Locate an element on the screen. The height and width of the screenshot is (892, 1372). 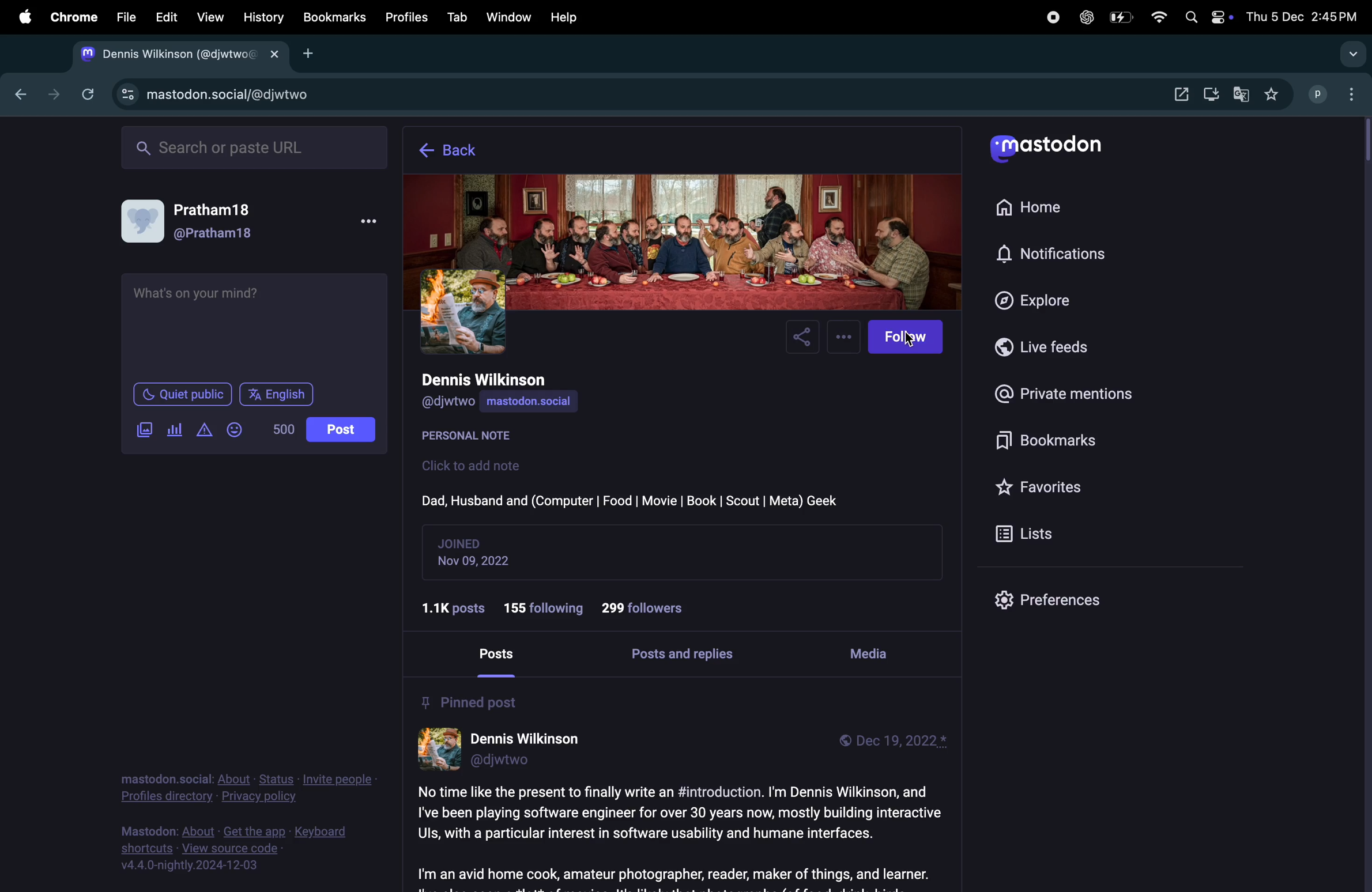
scrollbar is located at coordinates (1363, 505).